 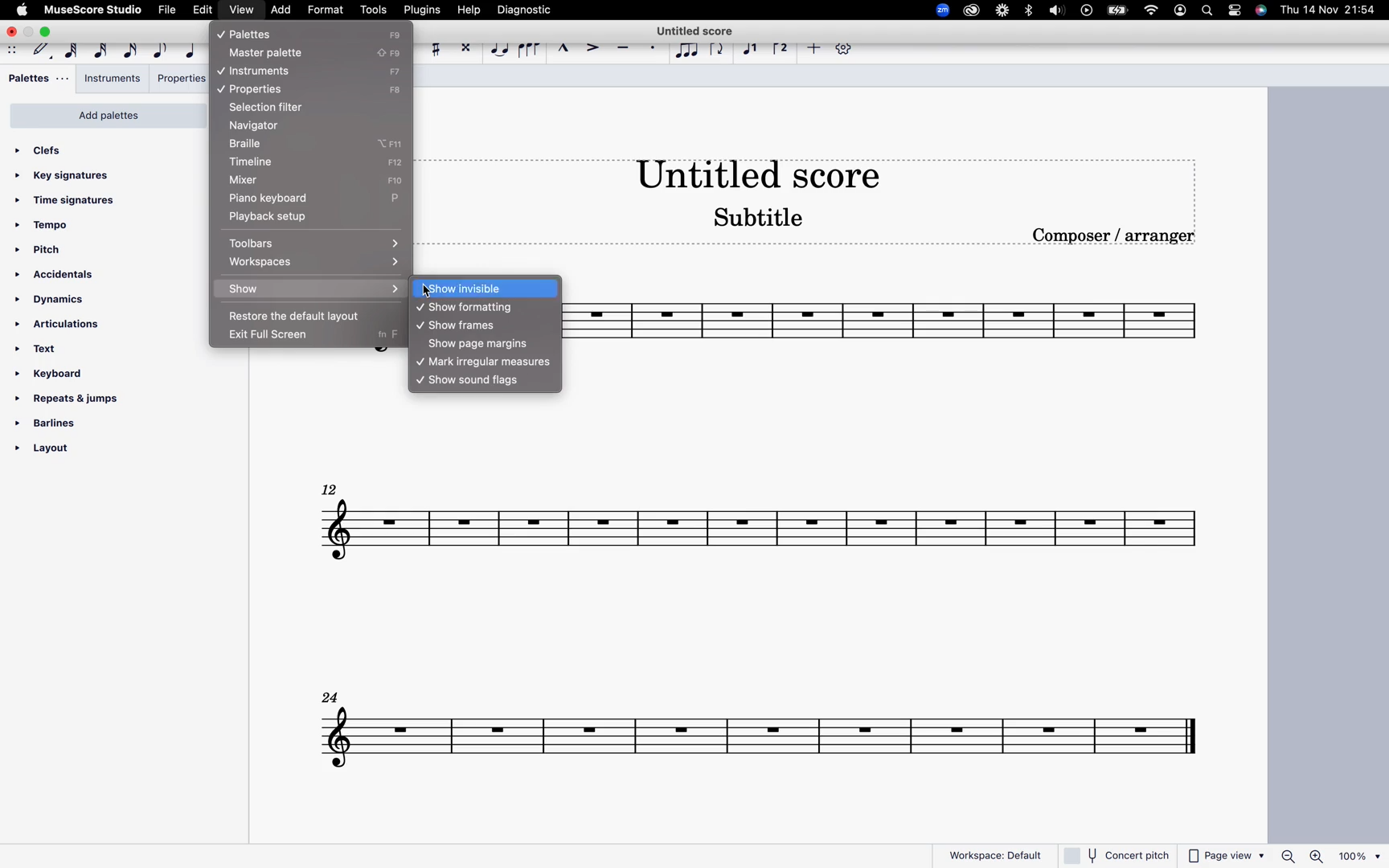 What do you see at coordinates (994, 855) in the screenshot?
I see `workspace: default` at bounding box center [994, 855].